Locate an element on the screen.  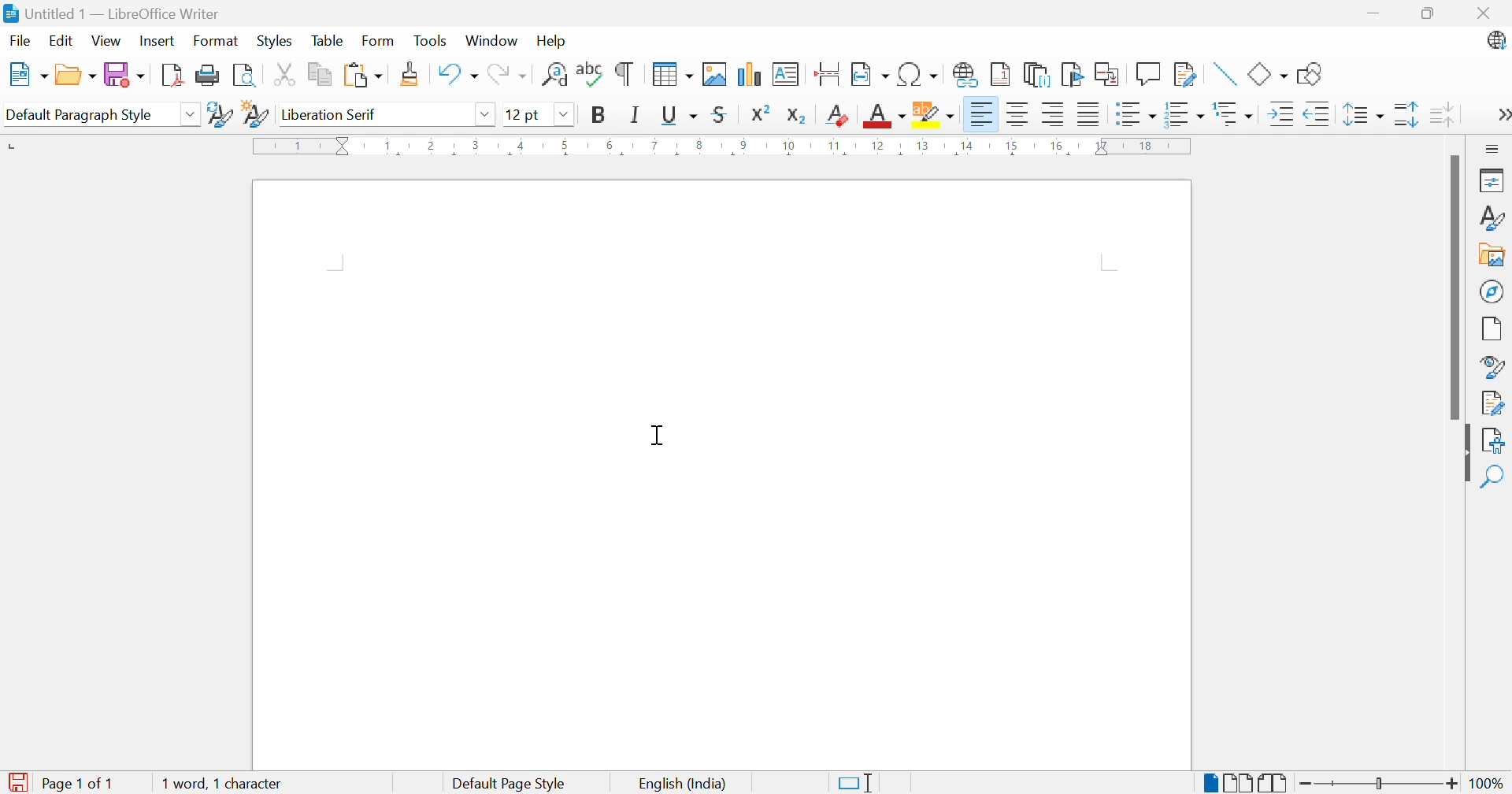
Print is located at coordinates (207, 74).